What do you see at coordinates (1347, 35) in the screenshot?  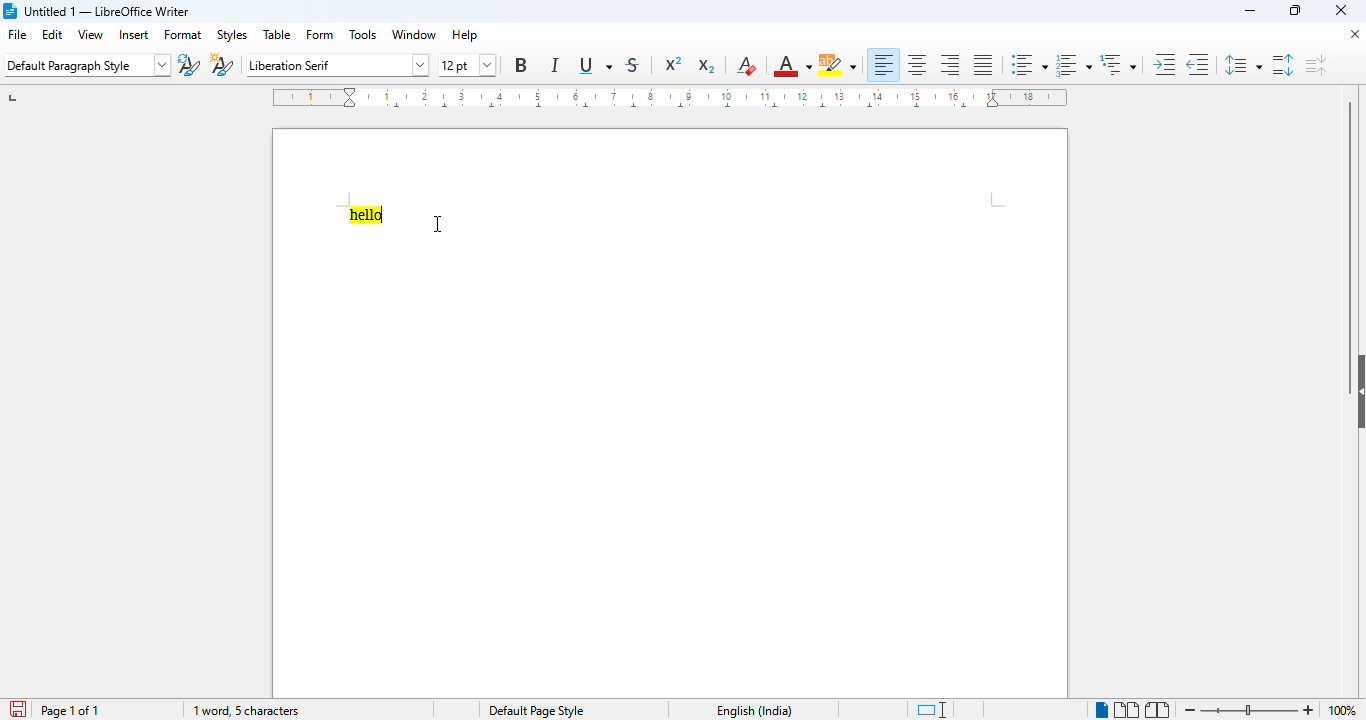 I see `close` at bounding box center [1347, 35].